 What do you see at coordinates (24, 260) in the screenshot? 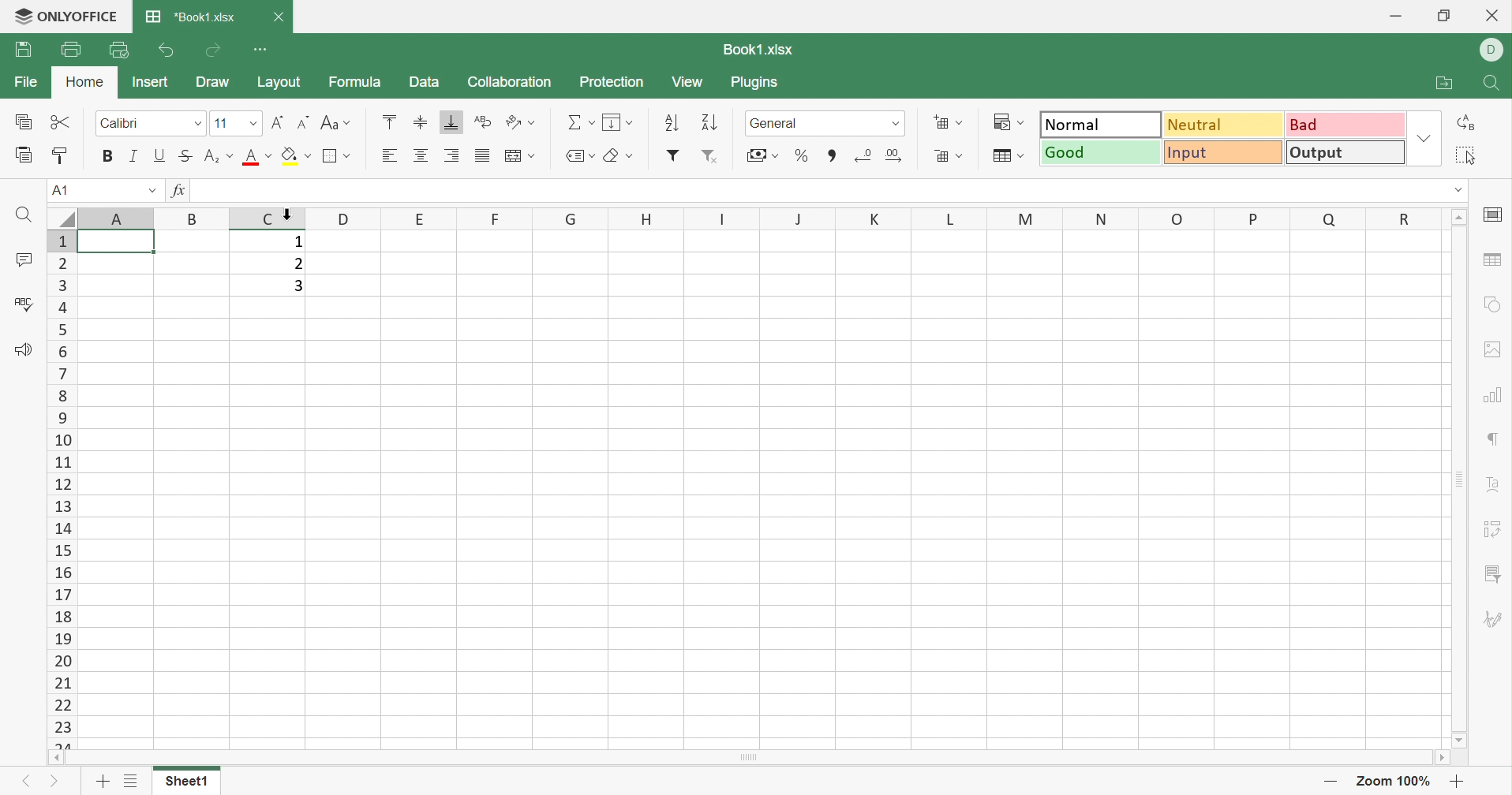
I see `Comments` at bounding box center [24, 260].